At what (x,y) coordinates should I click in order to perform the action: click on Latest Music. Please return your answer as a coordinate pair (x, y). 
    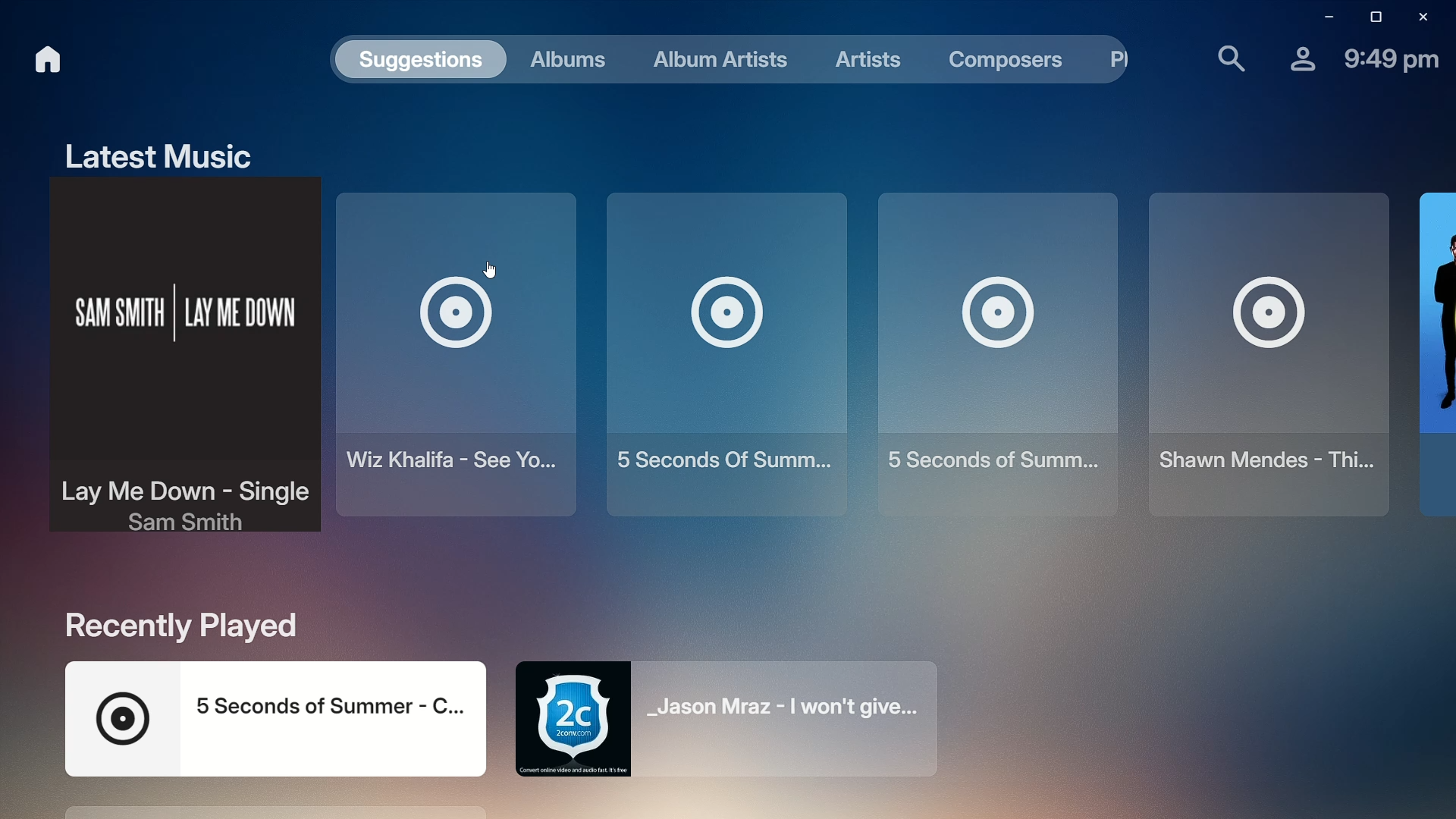
    Looking at the image, I should click on (151, 151).